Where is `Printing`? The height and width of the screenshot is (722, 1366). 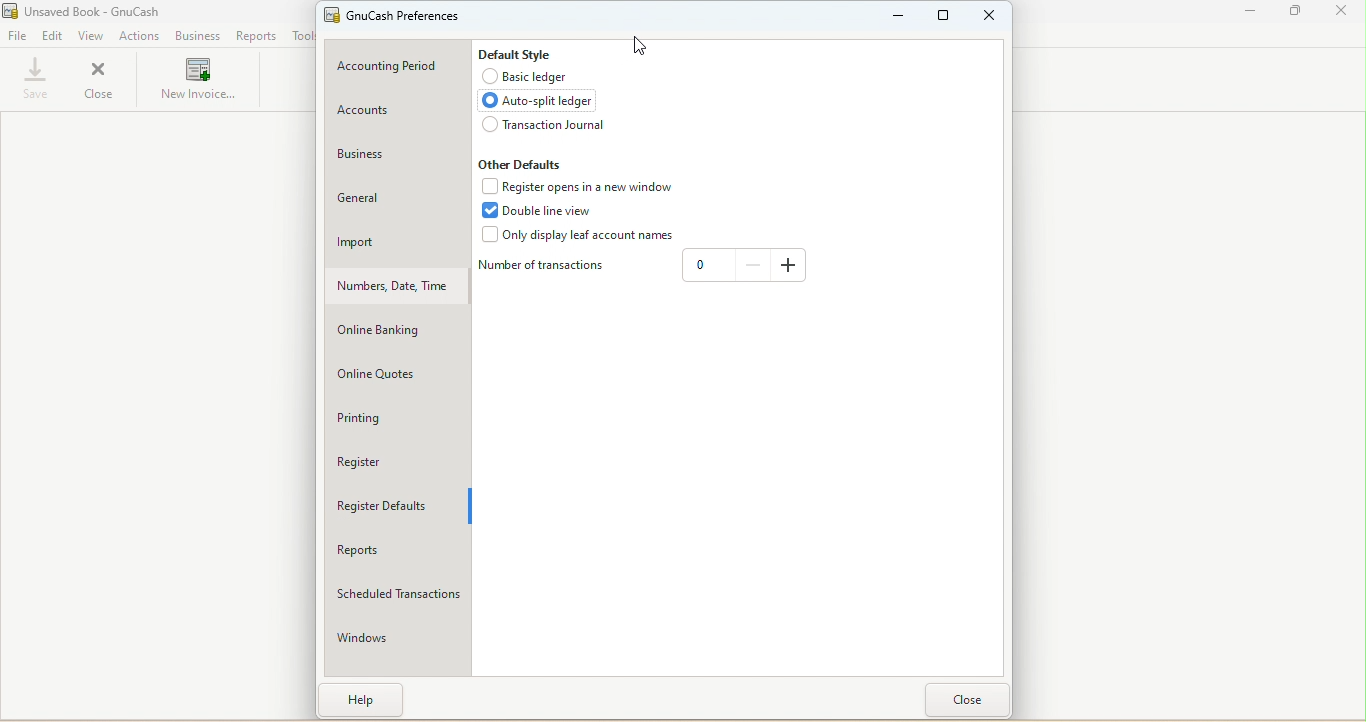
Printing is located at coordinates (398, 419).